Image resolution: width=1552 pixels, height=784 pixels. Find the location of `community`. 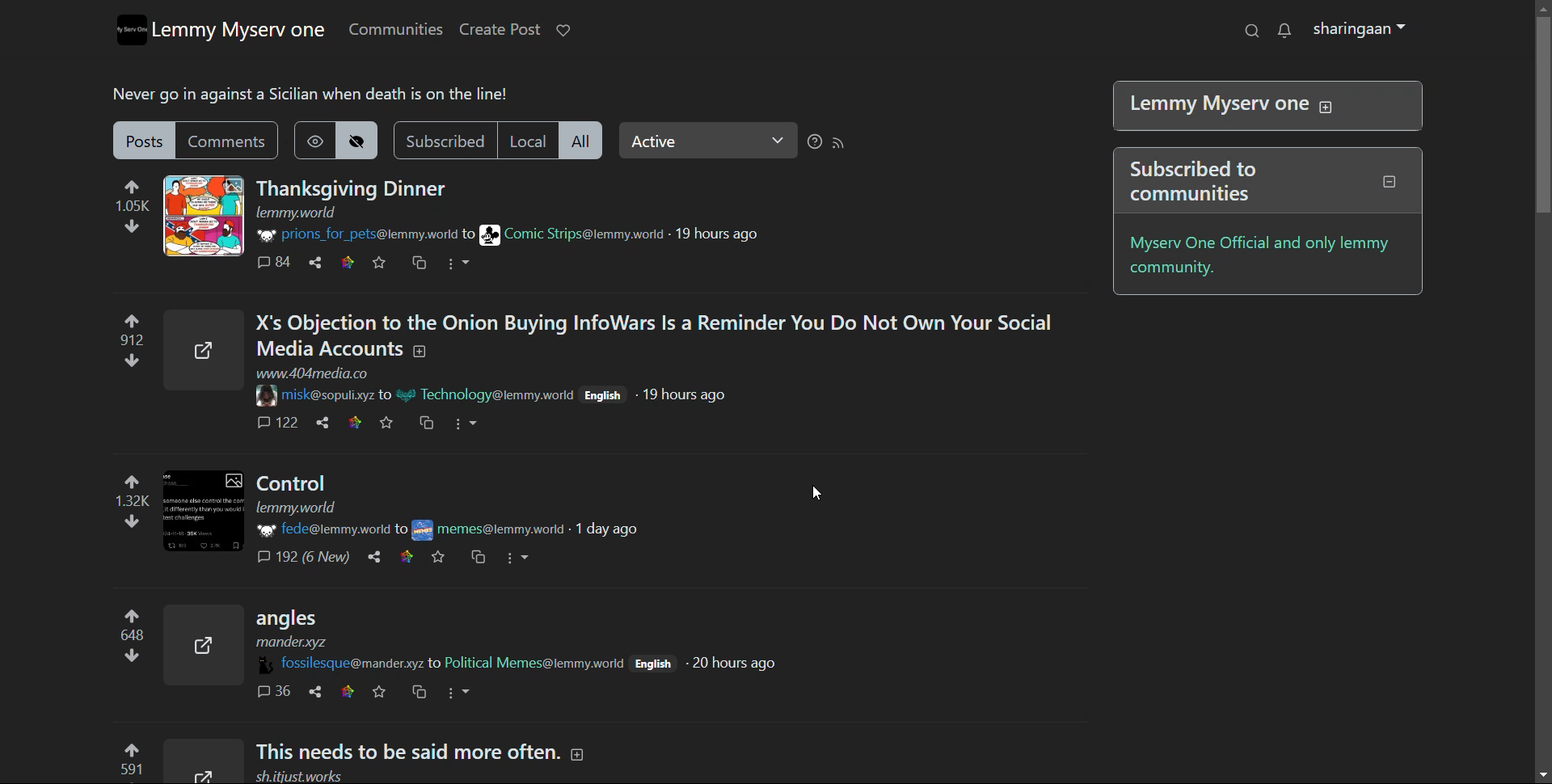

community is located at coordinates (533, 663).